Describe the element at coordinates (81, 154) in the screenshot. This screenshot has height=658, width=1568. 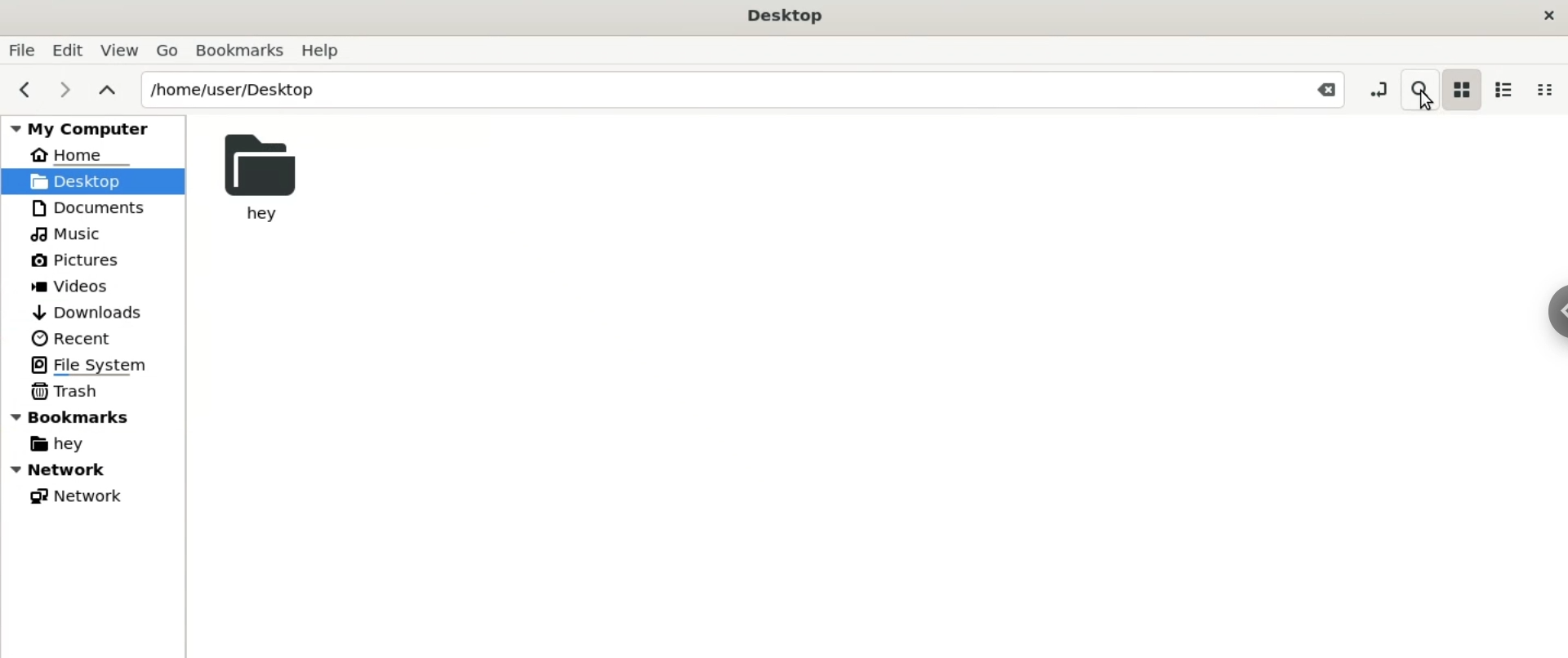
I see `Home` at that location.